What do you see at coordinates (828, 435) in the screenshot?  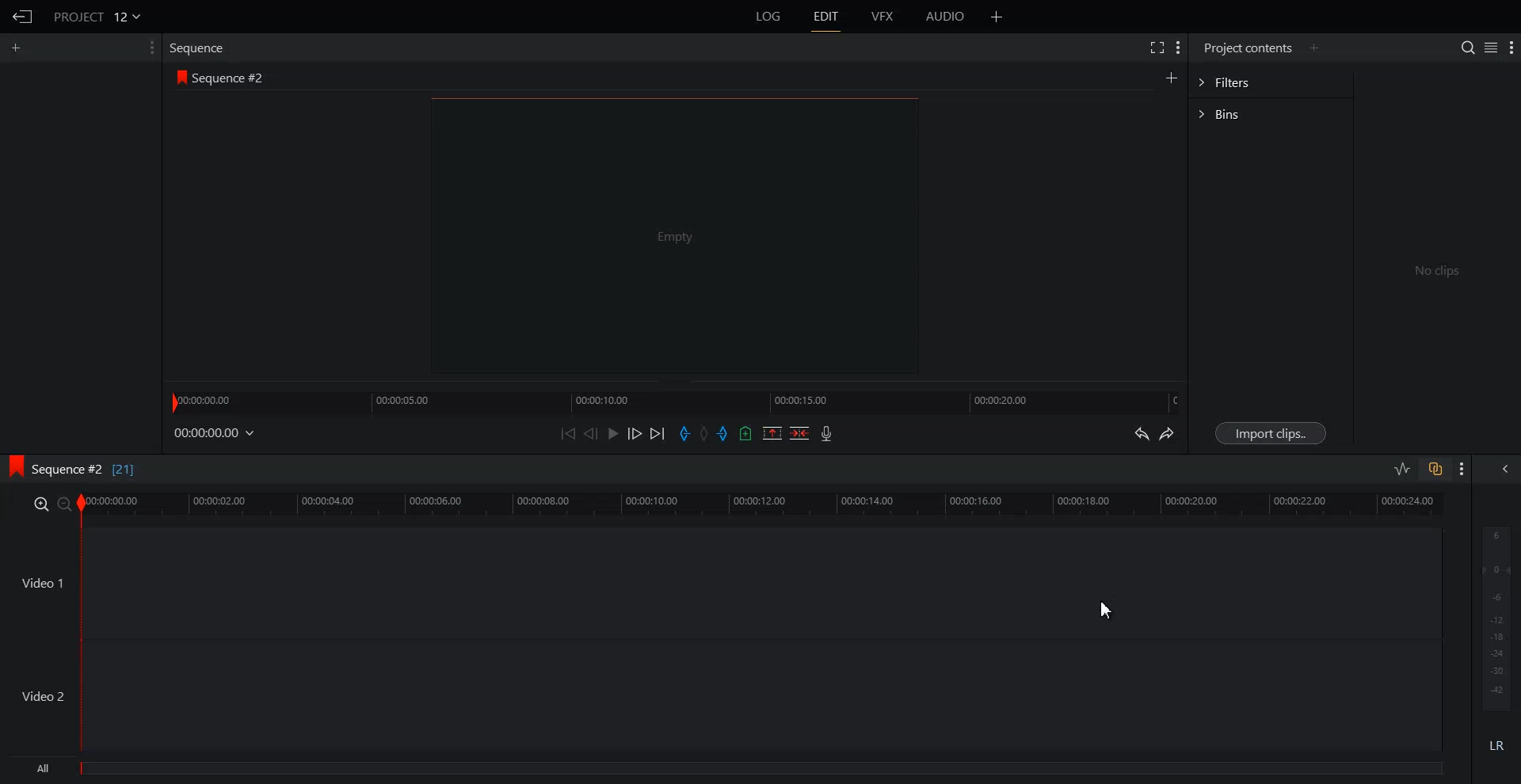 I see `Record Video` at bounding box center [828, 435].